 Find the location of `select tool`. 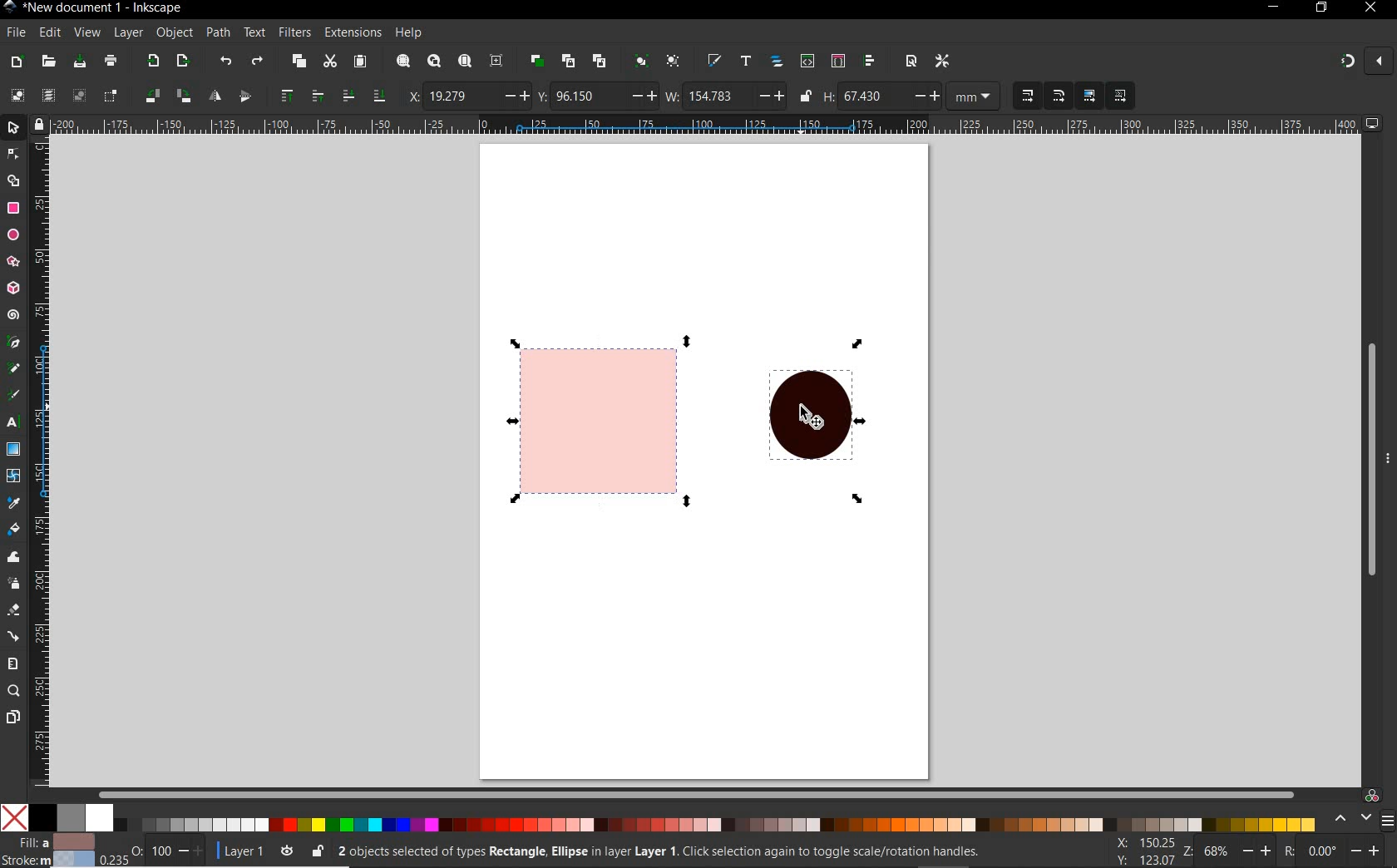

select tool is located at coordinates (14, 126).